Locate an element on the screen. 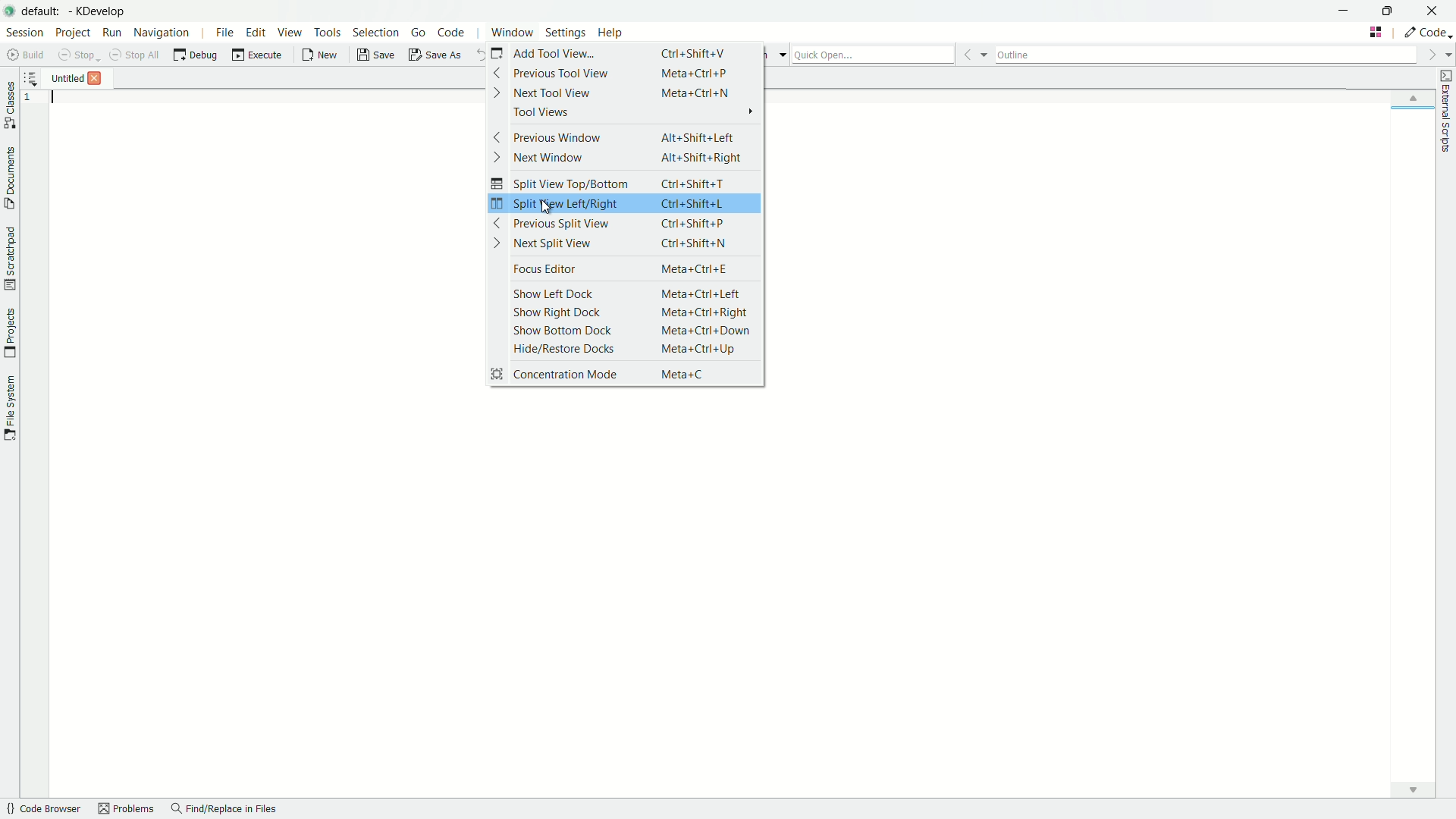  execute actions to change the area is located at coordinates (1428, 34).